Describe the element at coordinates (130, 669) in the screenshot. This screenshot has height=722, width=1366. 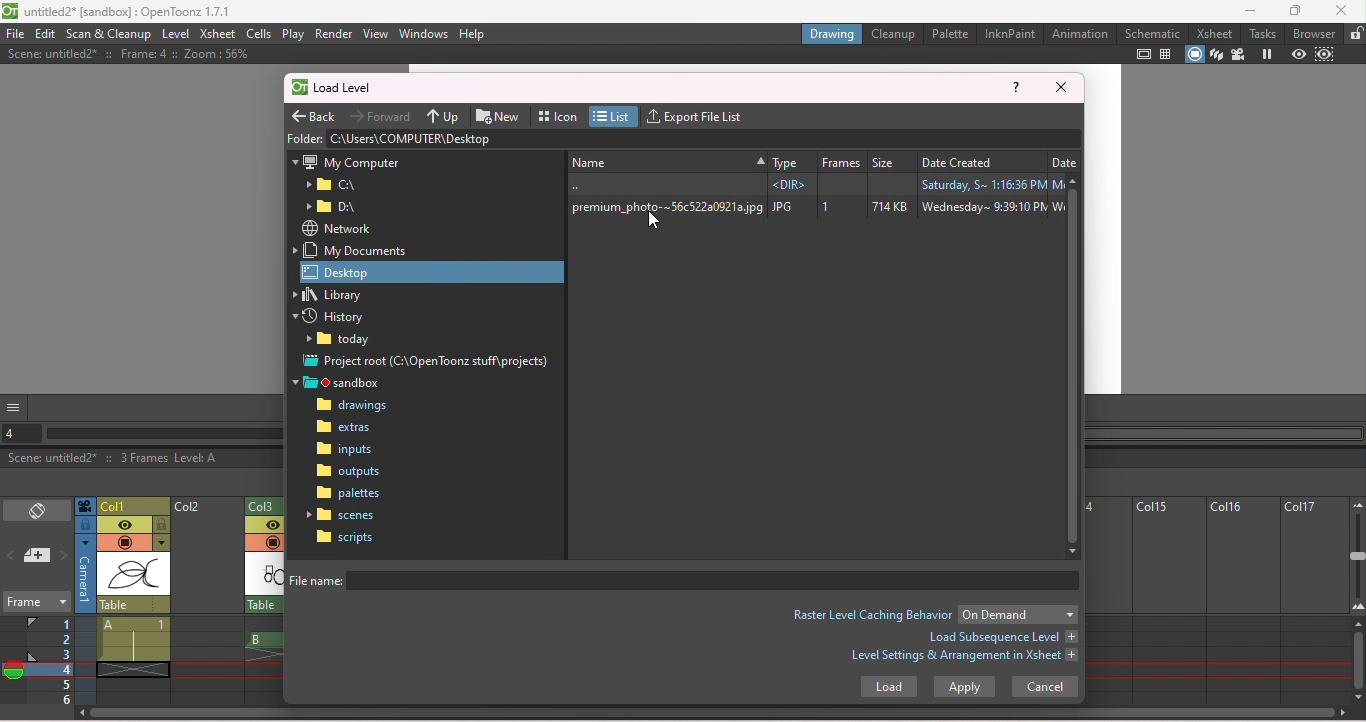
I see `cell` at that location.